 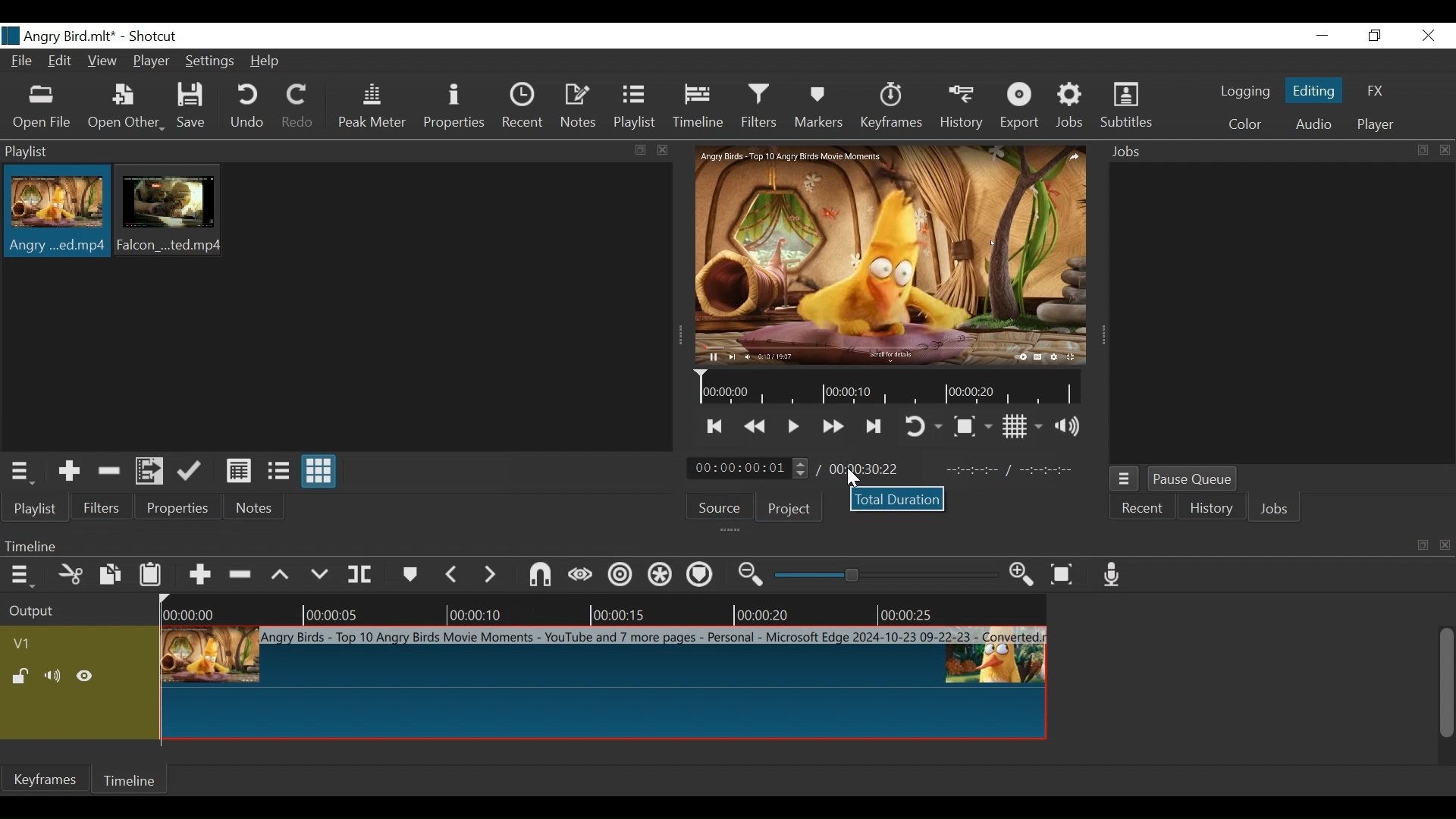 What do you see at coordinates (1426, 35) in the screenshot?
I see `Close` at bounding box center [1426, 35].